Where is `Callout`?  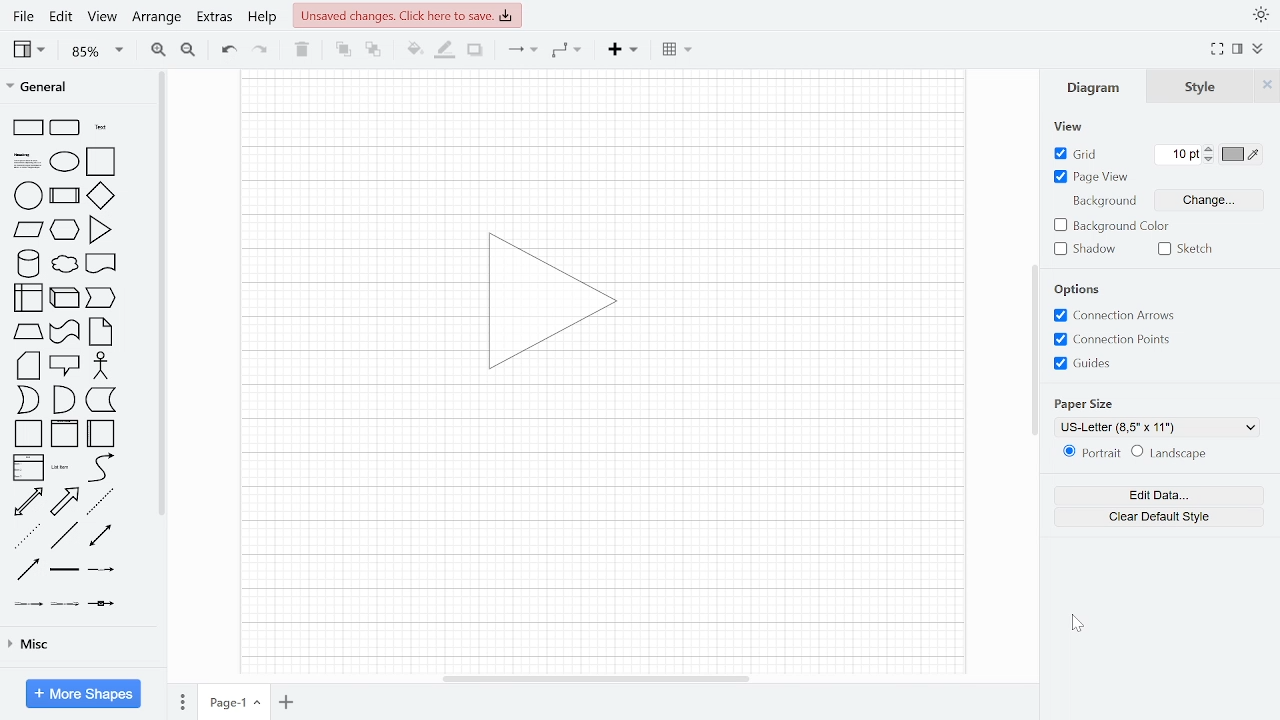 Callout is located at coordinates (64, 366).